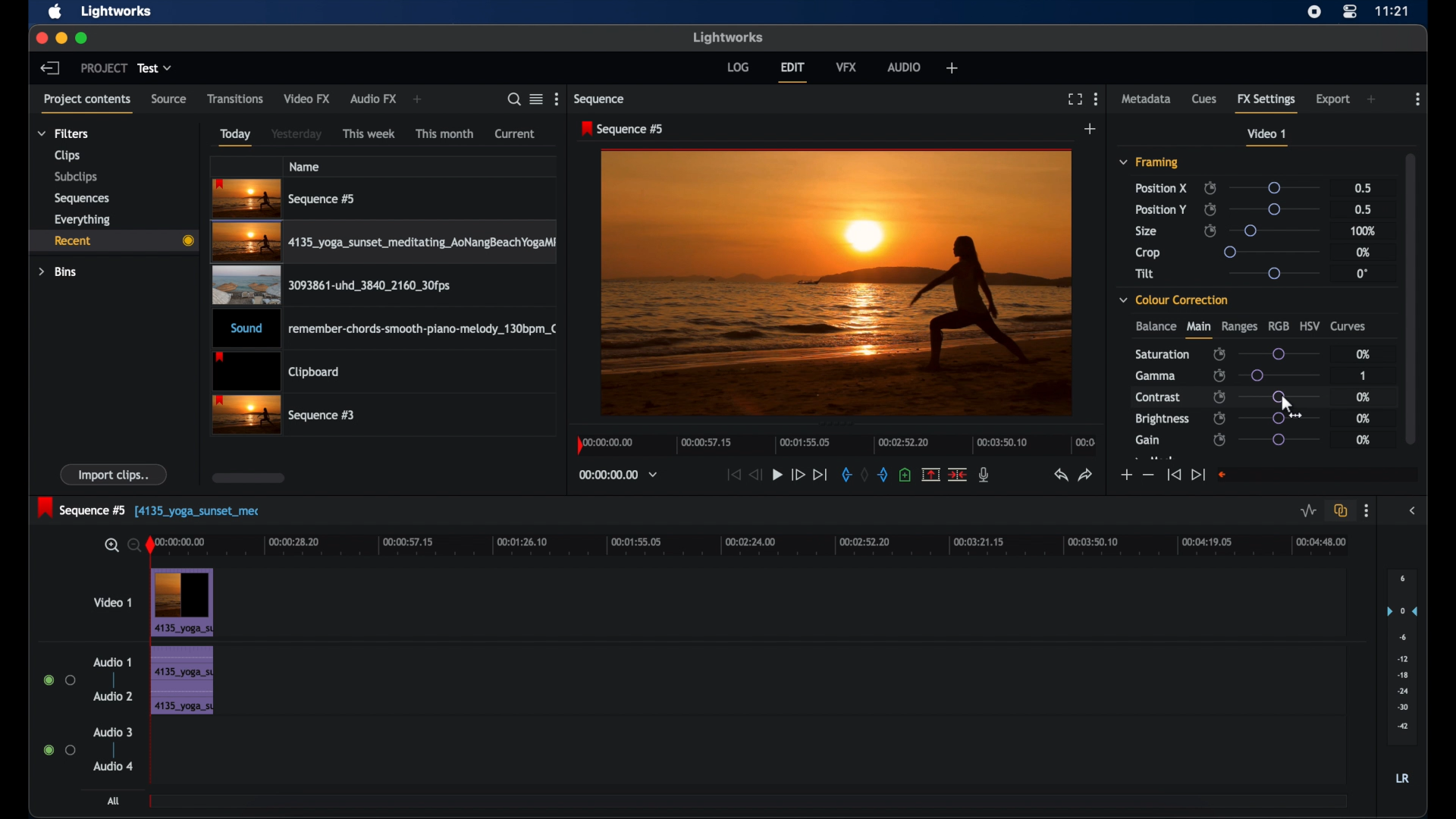  I want to click on audio clip, so click(181, 682).